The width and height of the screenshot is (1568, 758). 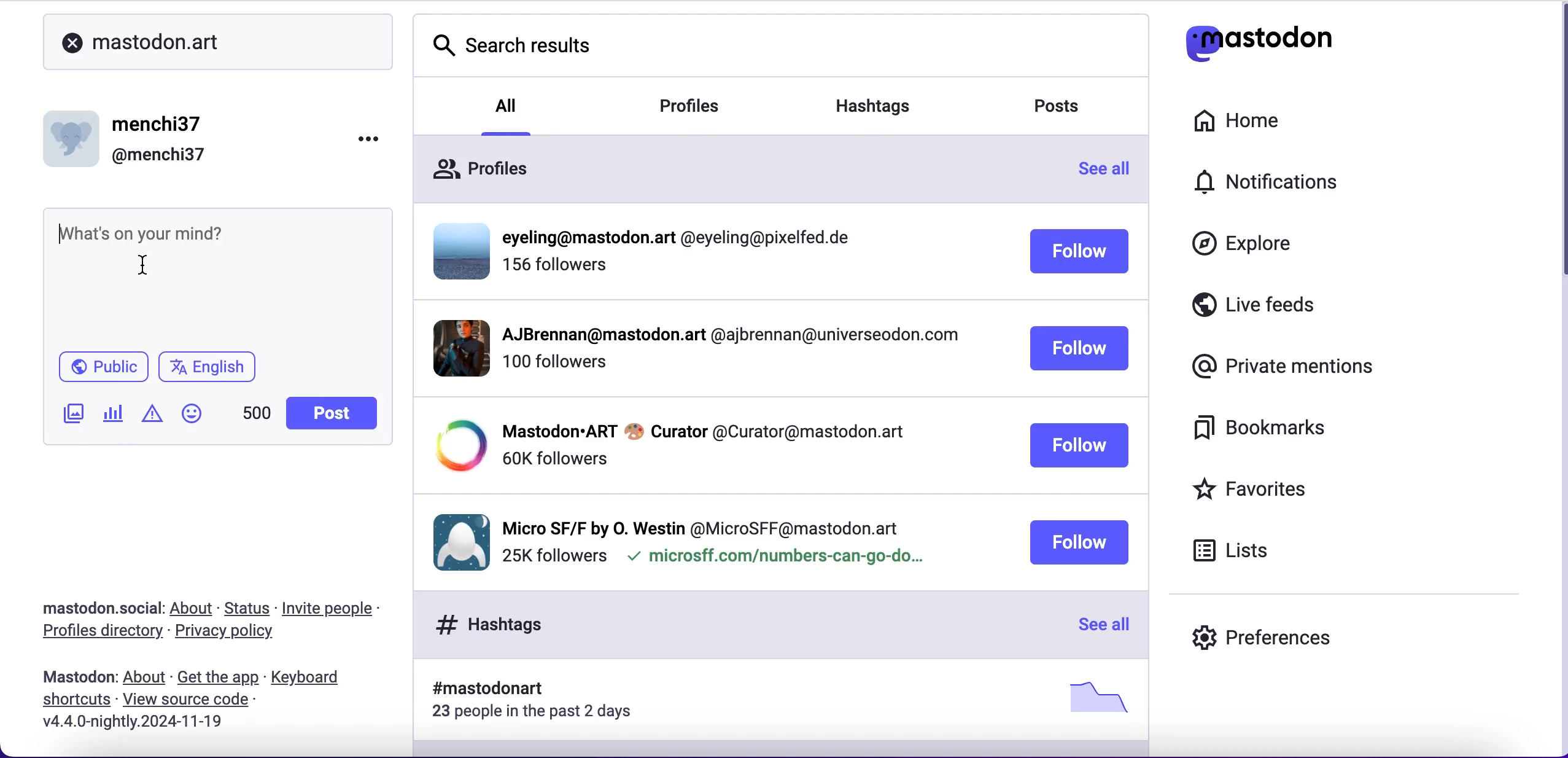 What do you see at coordinates (1079, 446) in the screenshot?
I see `follow` at bounding box center [1079, 446].